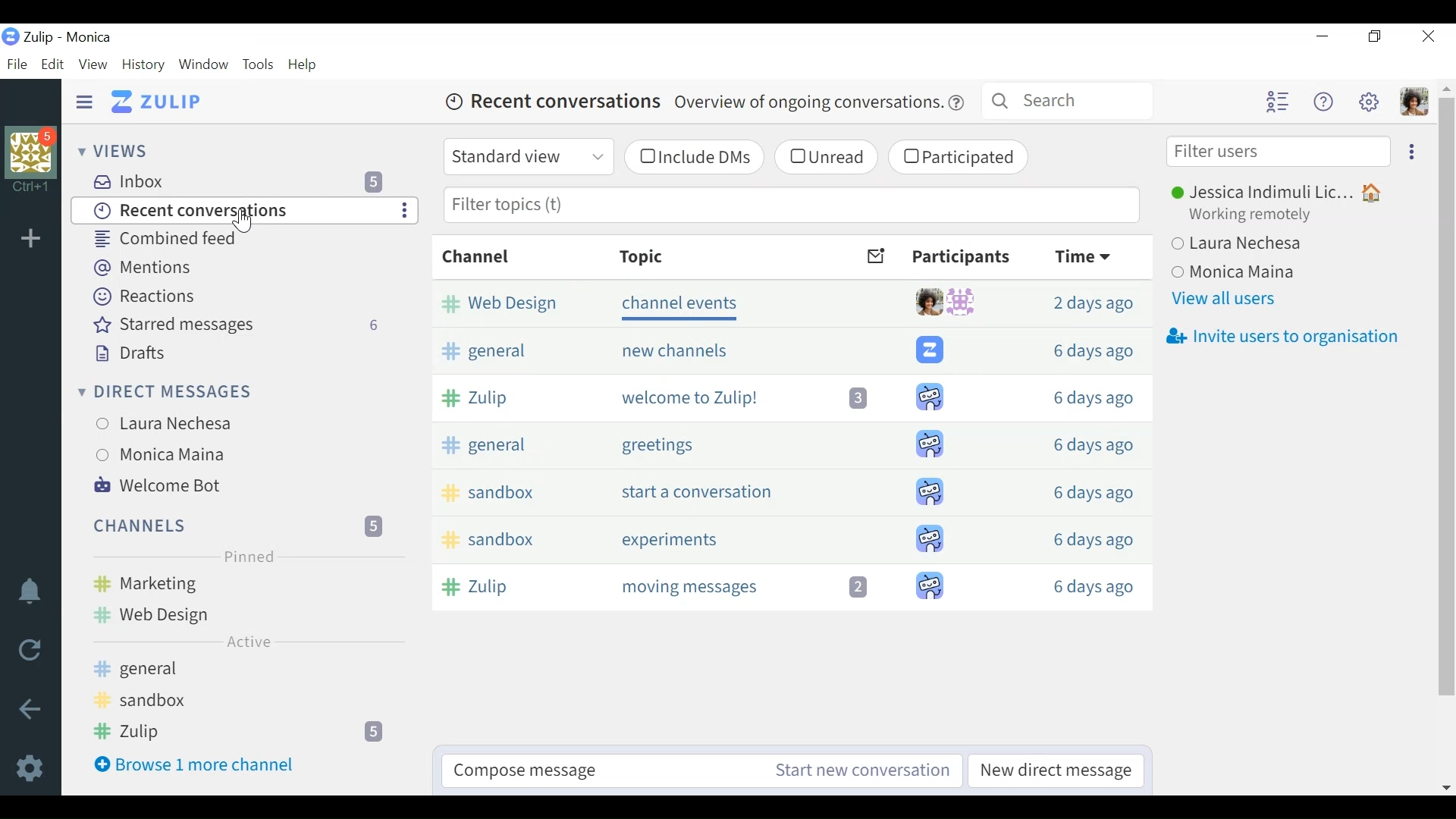  Describe the element at coordinates (243, 220) in the screenshot. I see `Cursor` at that location.